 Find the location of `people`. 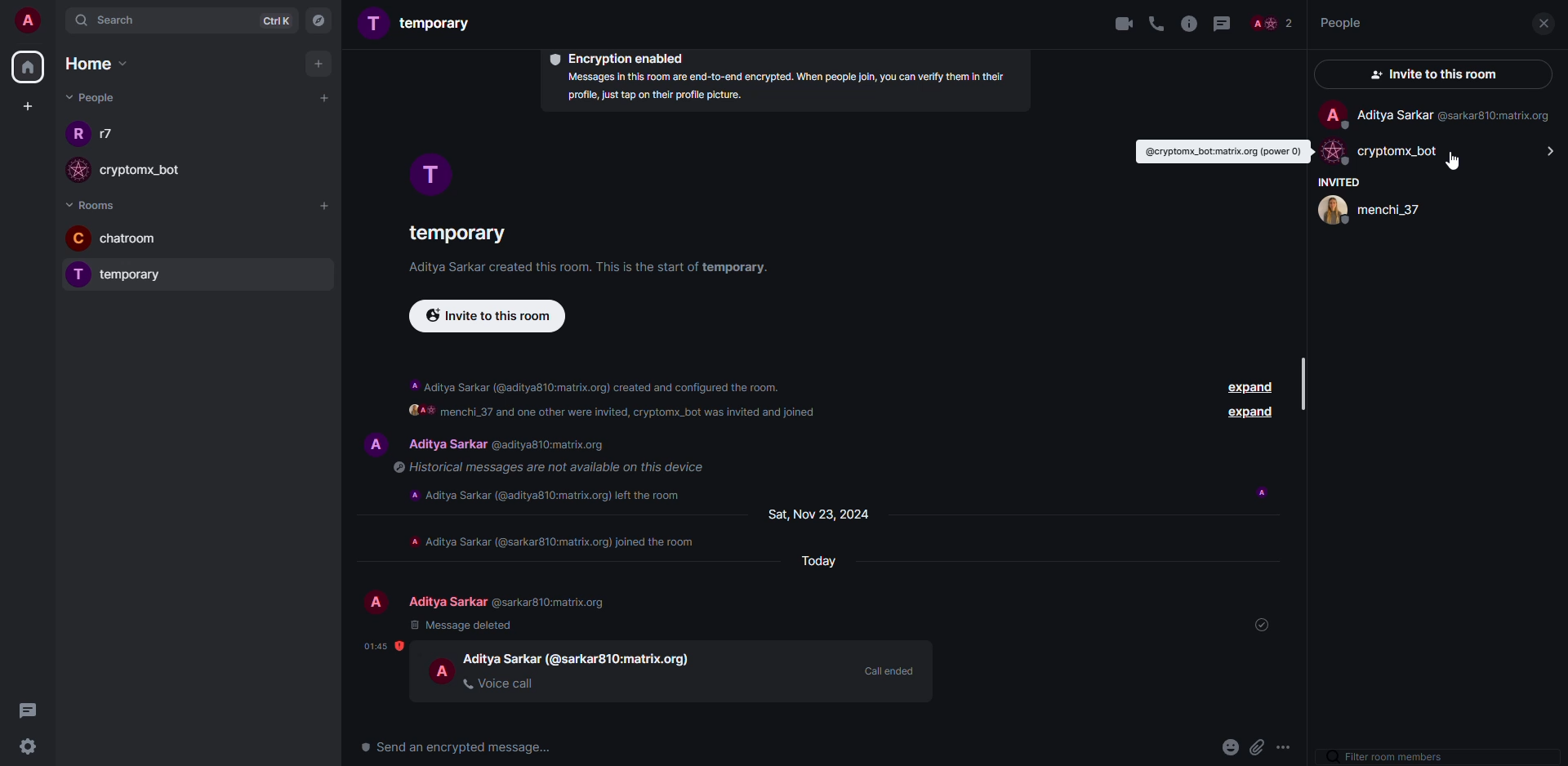

people is located at coordinates (513, 445).